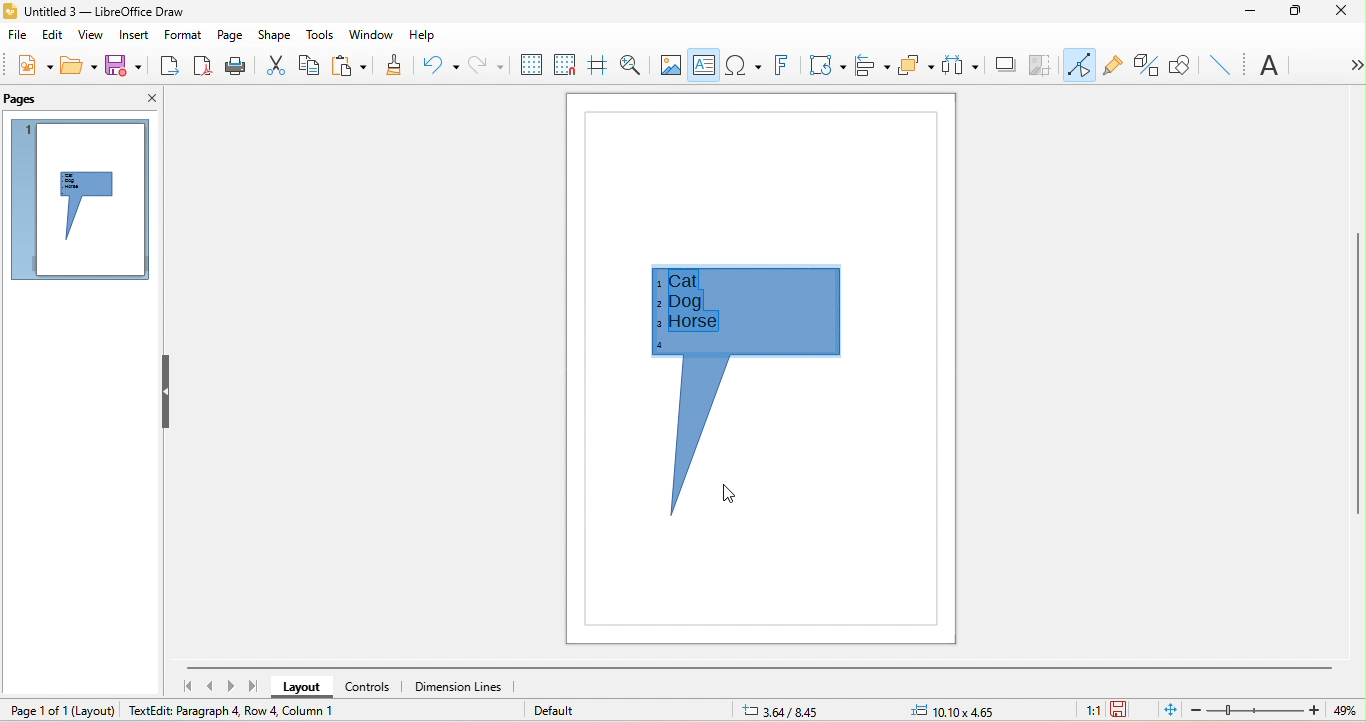 The image size is (1366, 722). What do you see at coordinates (485, 65) in the screenshot?
I see `redo` at bounding box center [485, 65].